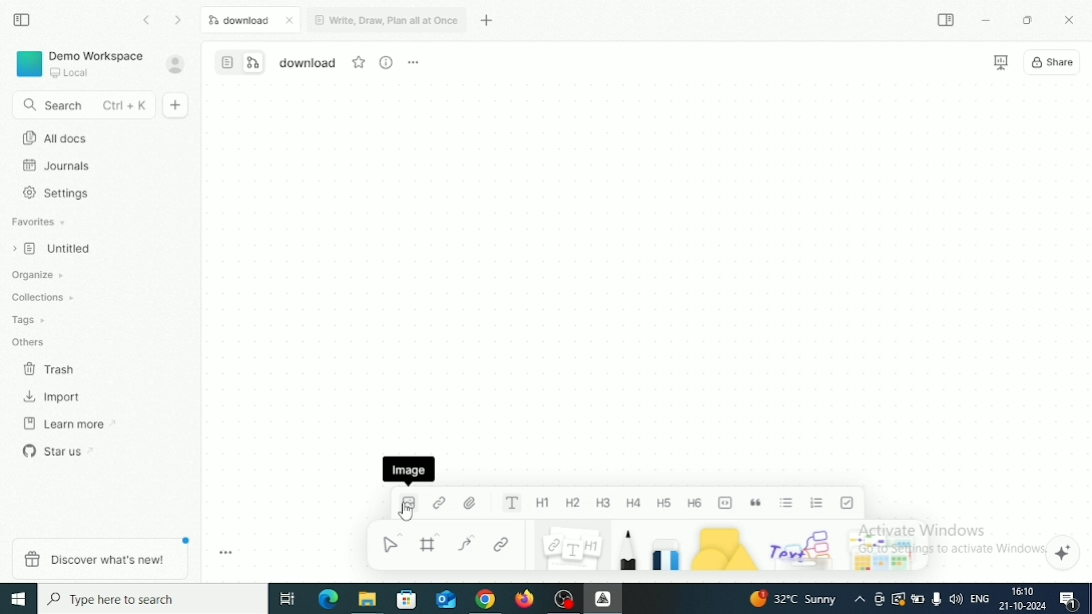  I want to click on To-do list, so click(849, 502).